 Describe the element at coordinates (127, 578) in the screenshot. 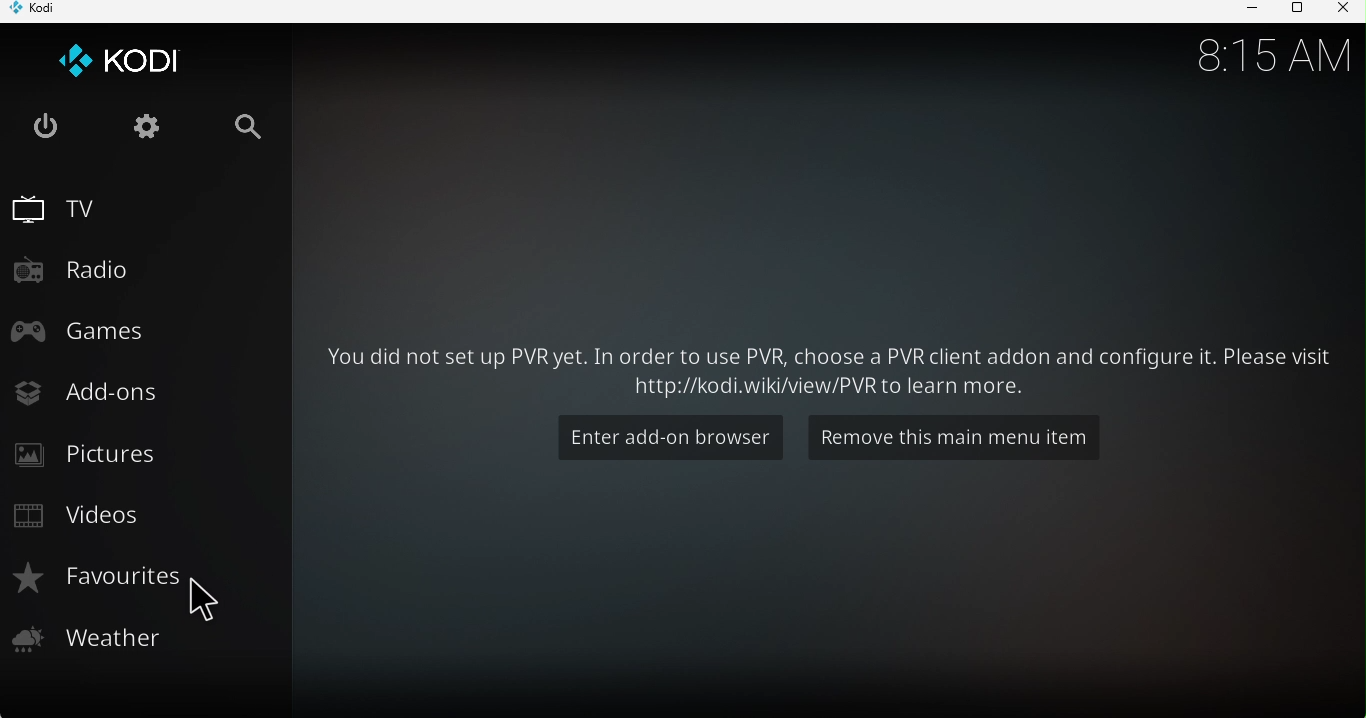

I see `Favourites` at that location.